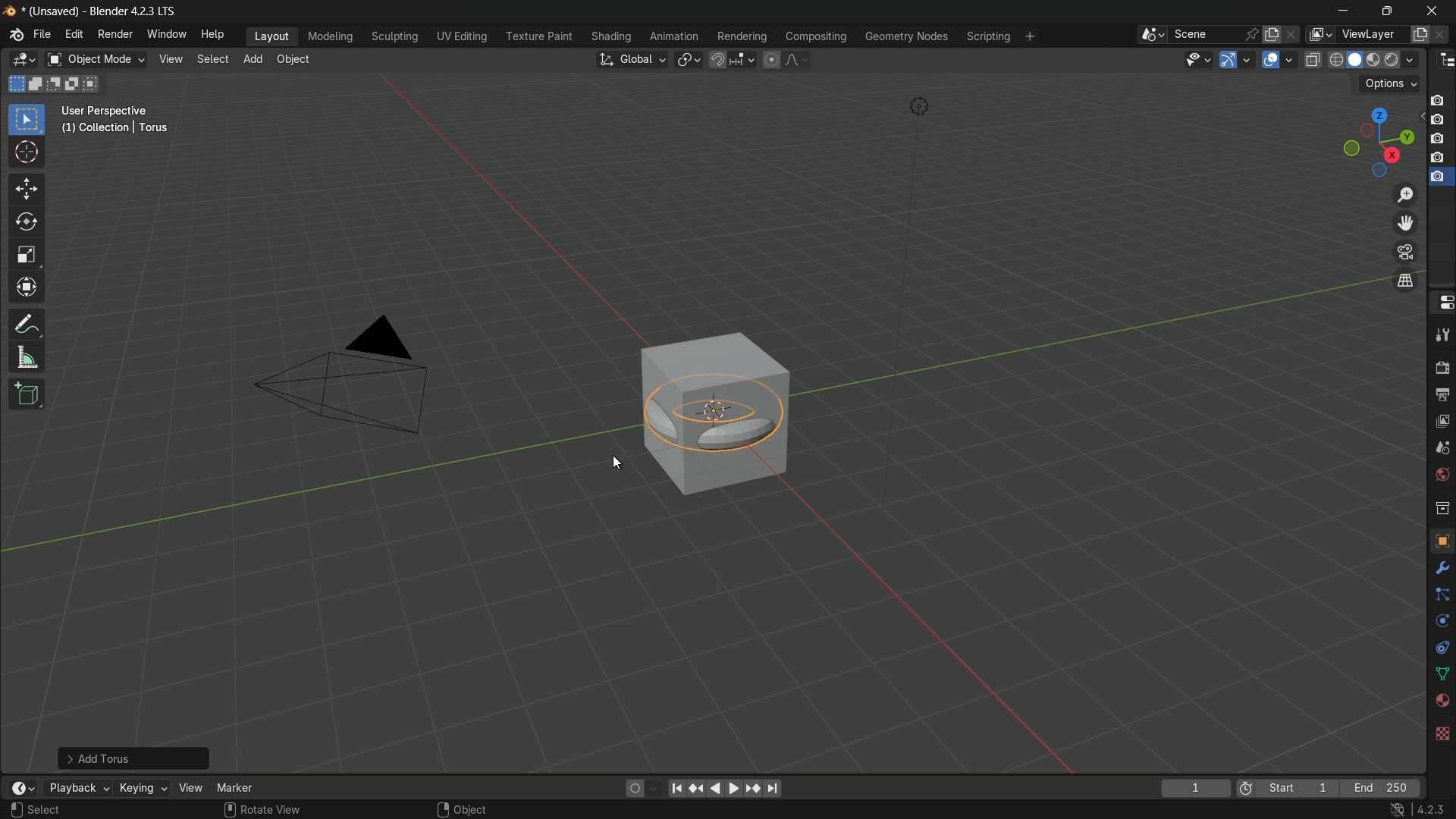  I want to click on sculpting, so click(396, 36).